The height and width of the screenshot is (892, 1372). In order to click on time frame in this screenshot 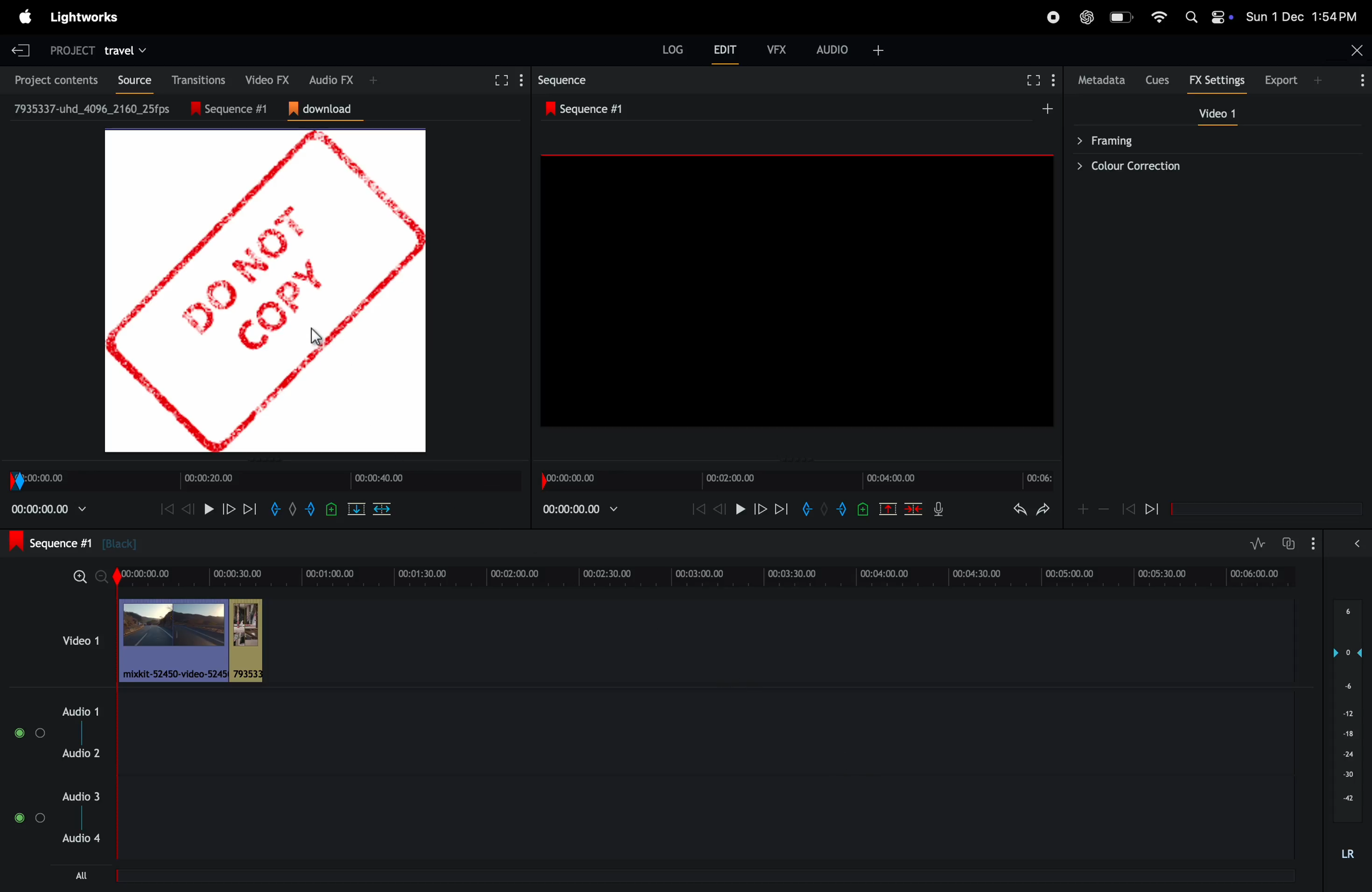, I will do `click(797, 481)`.